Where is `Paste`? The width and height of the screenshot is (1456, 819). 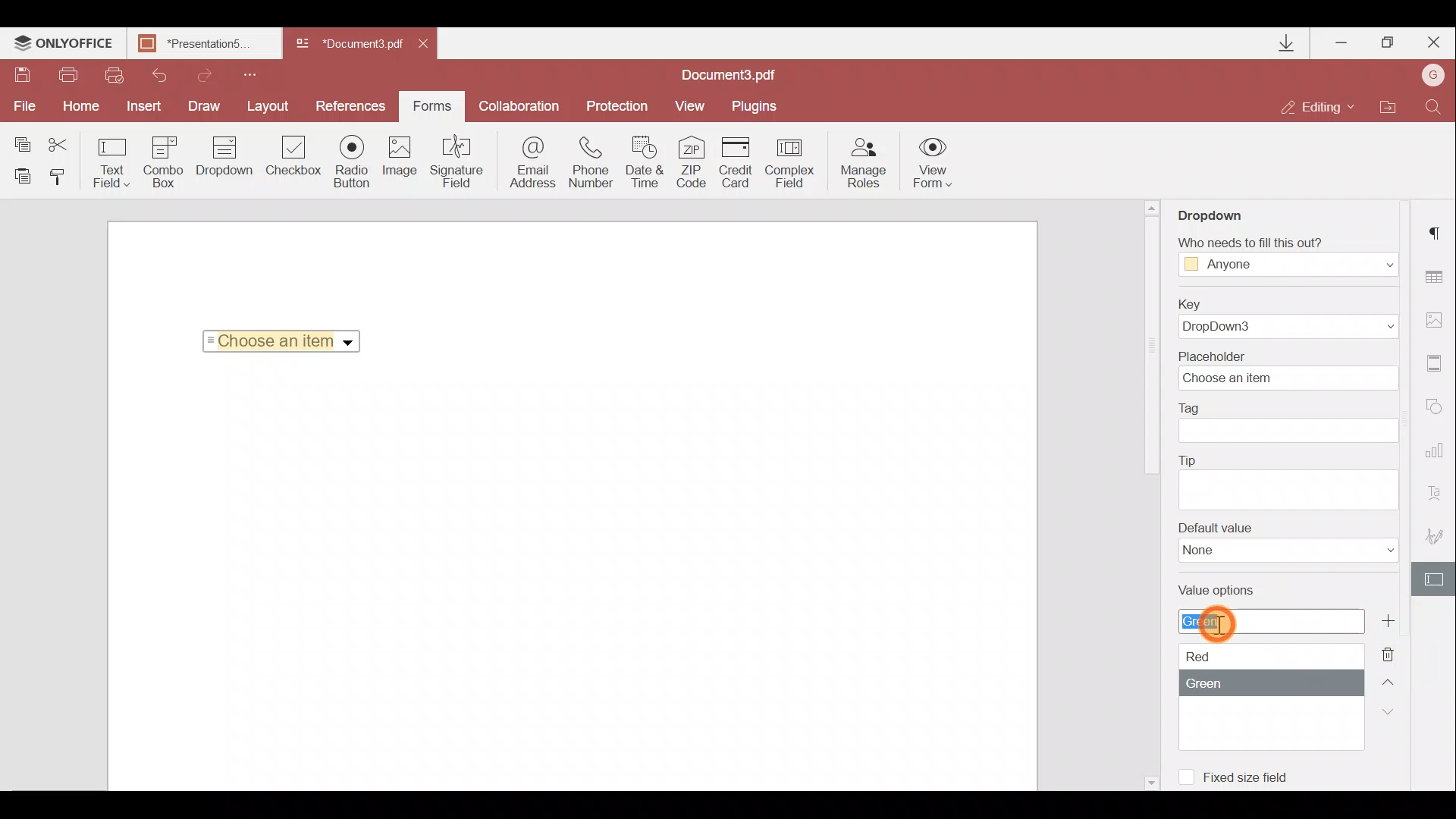
Paste is located at coordinates (21, 178).